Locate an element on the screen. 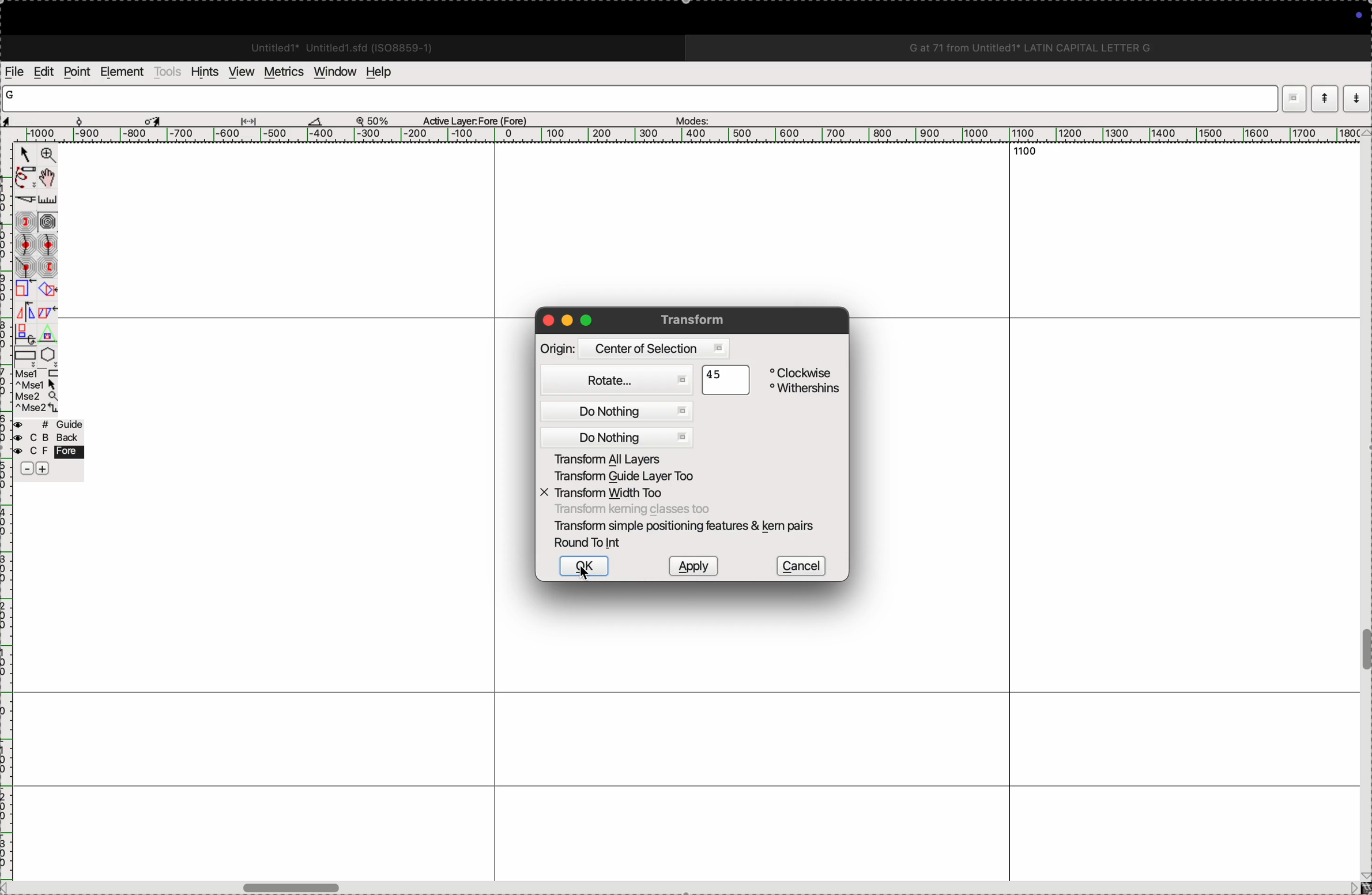  rectangle/ellipse is located at coordinates (26, 355).